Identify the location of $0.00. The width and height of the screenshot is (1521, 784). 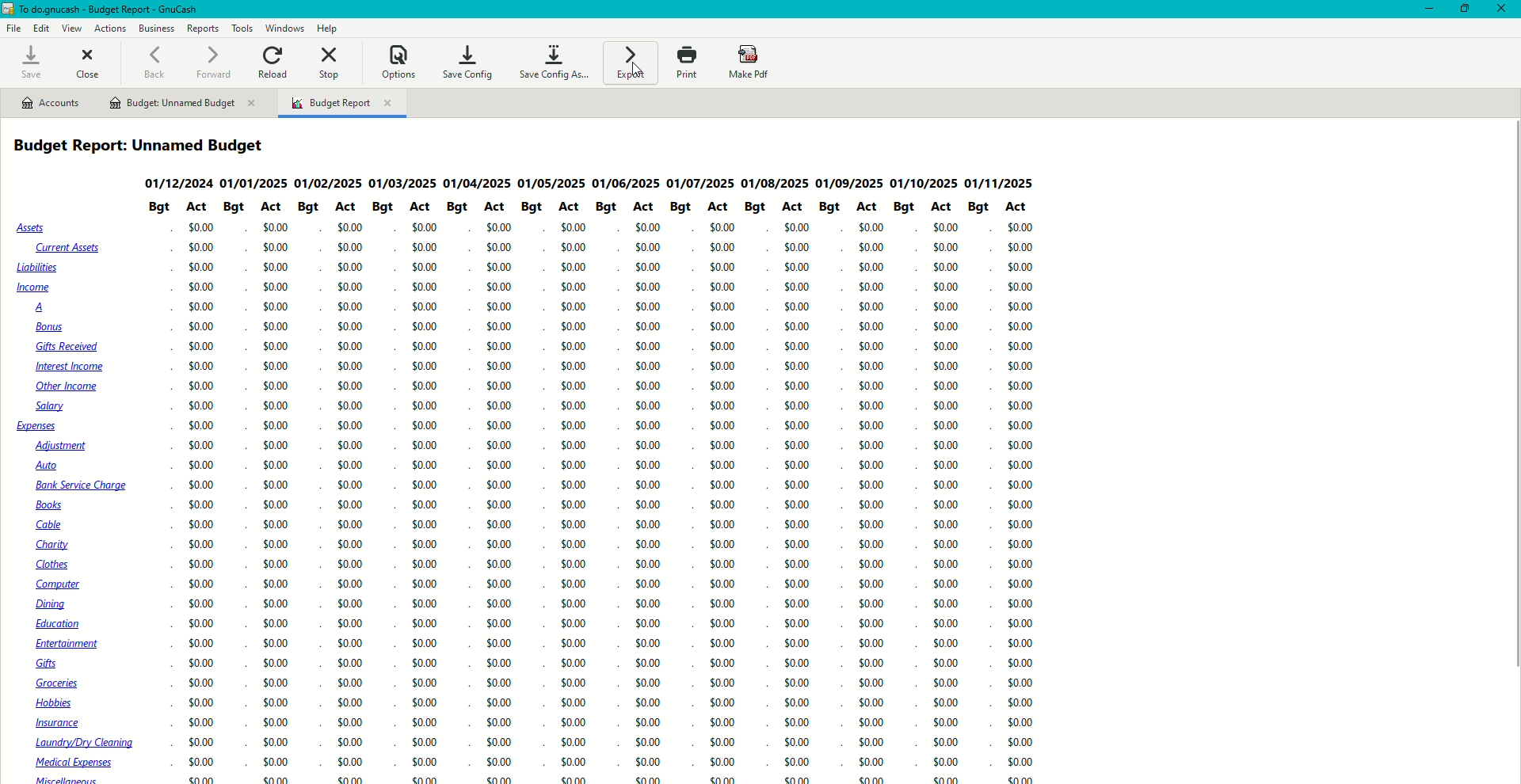
(576, 405).